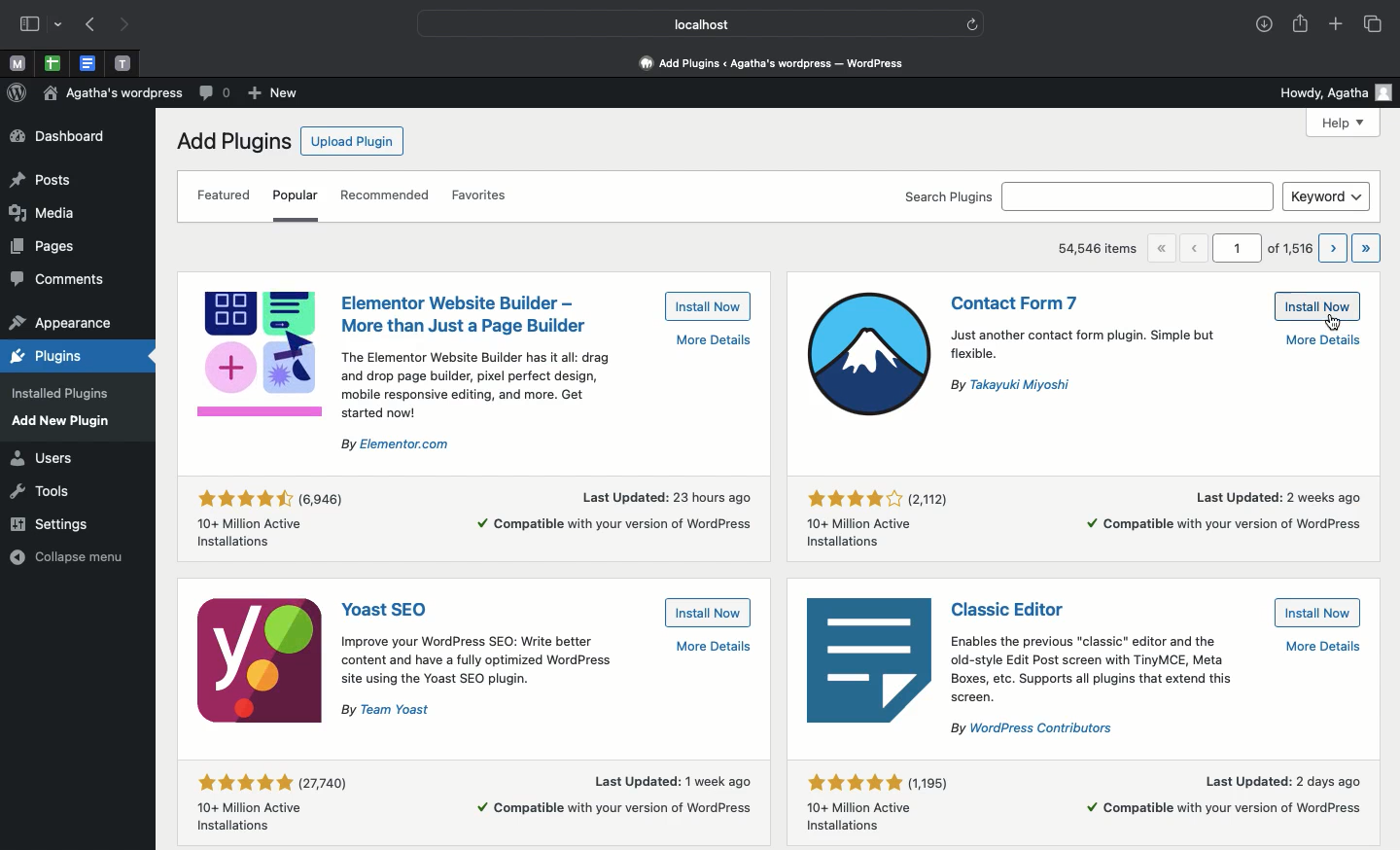 The image size is (1400, 850). Describe the element at coordinates (1261, 26) in the screenshot. I see `Downloads` at that location.